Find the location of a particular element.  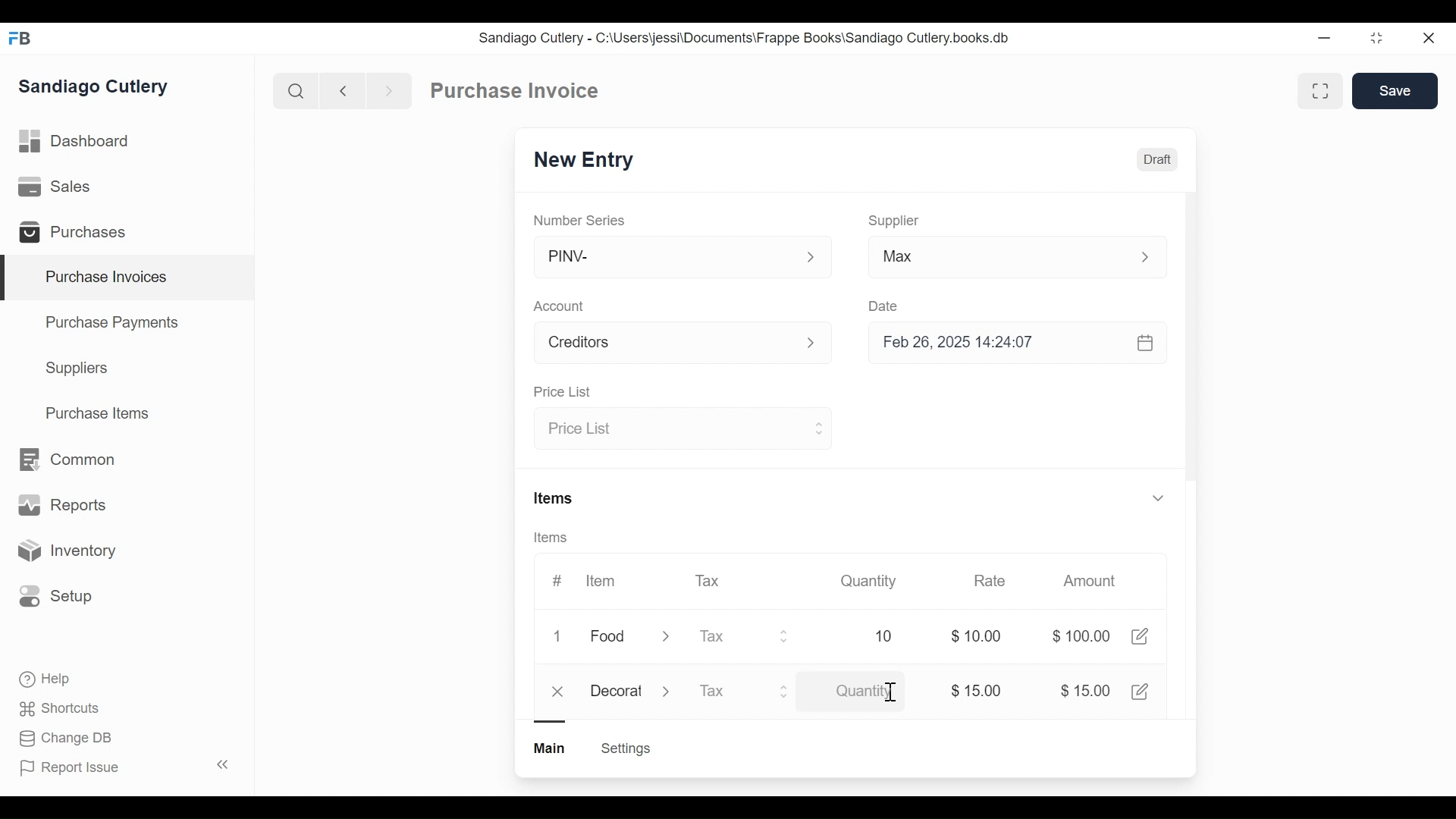

Max is located at coordinates (987, 259).